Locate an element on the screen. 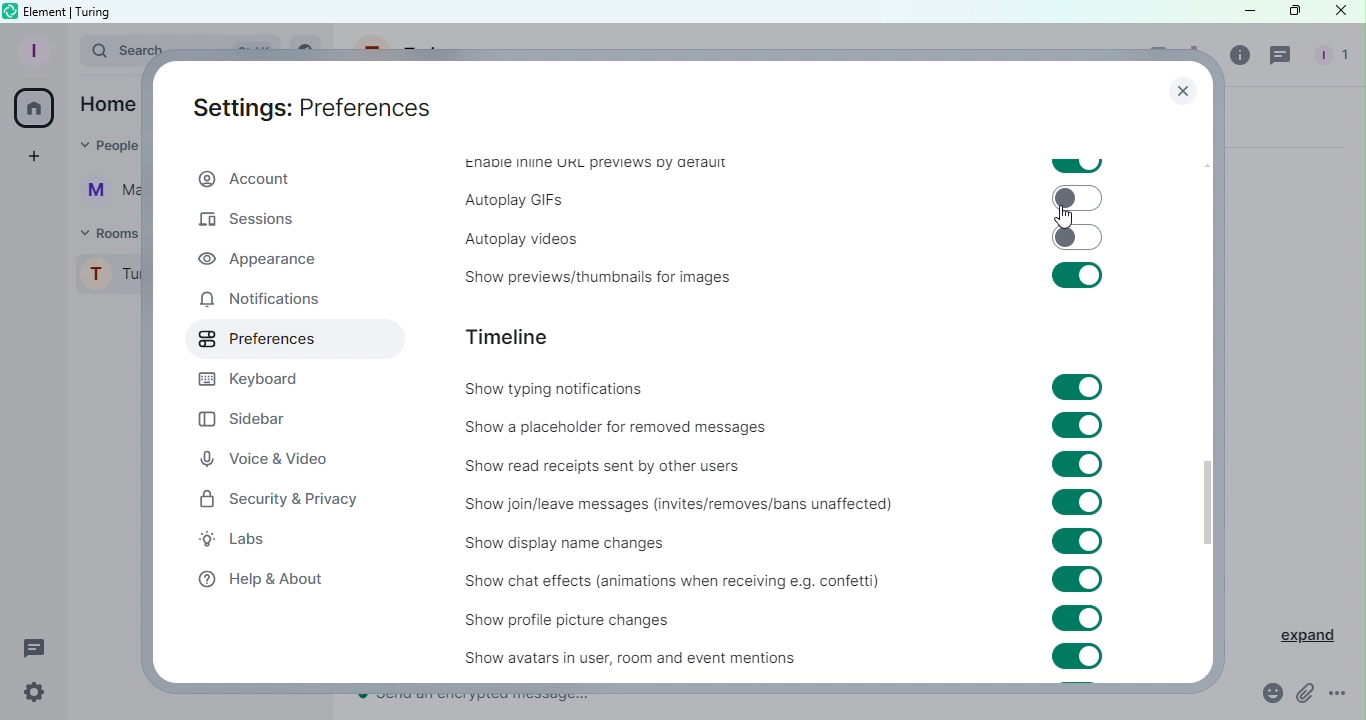  Minimize is located at coordinates (1237, 12).